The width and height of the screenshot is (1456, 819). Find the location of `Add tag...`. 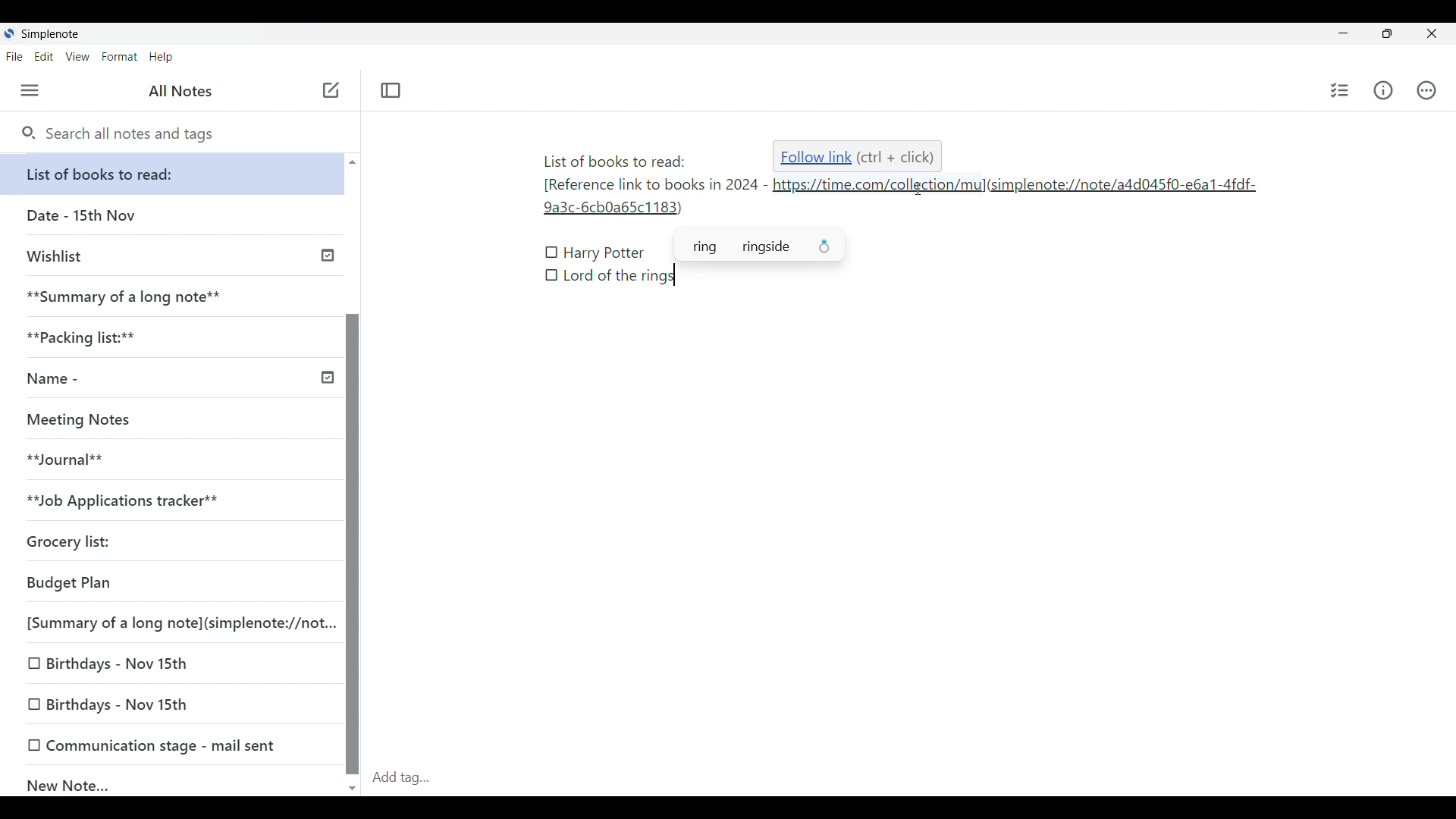

Add tag... is located at coordinates (410, 777).